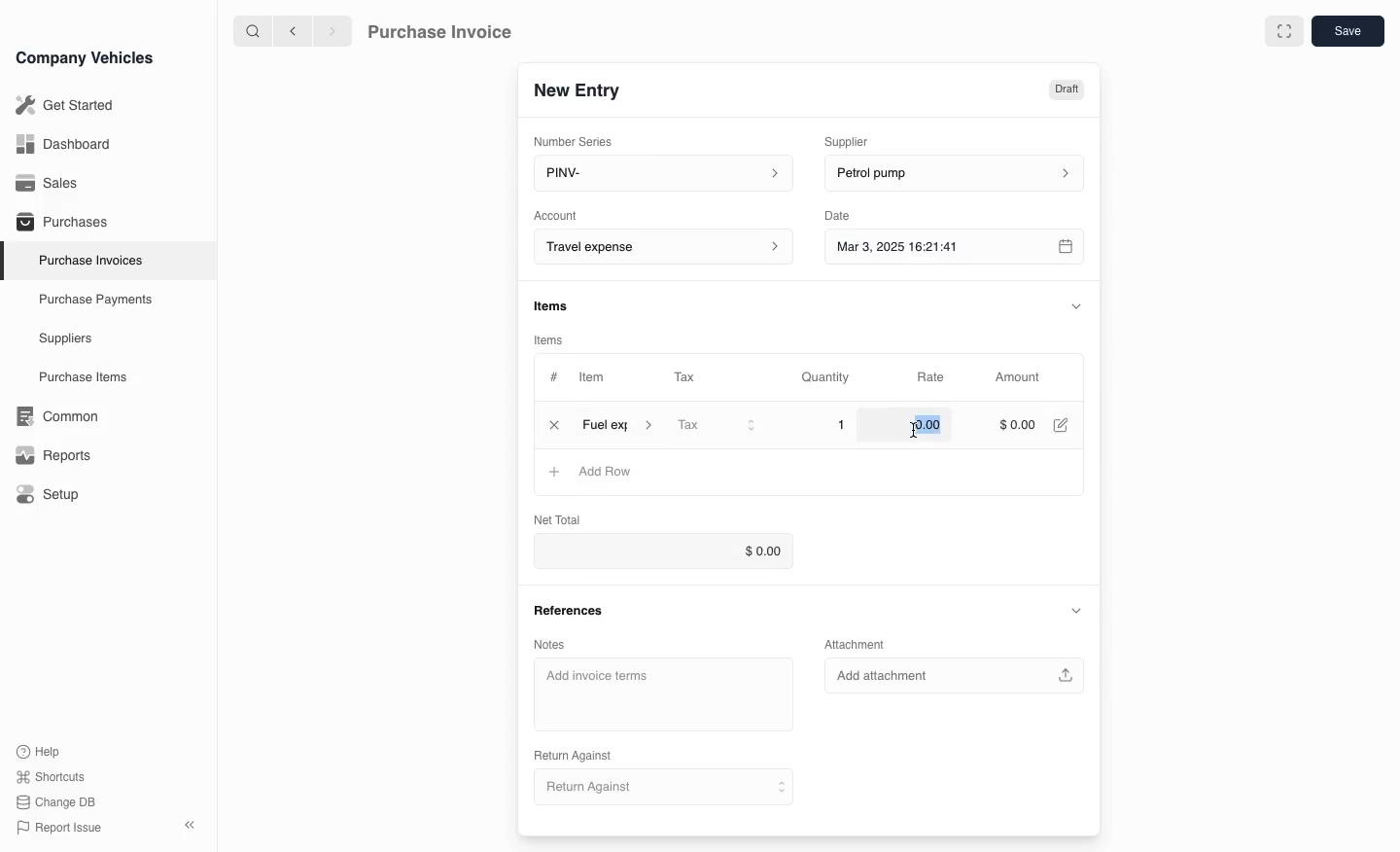  Describe the element at coordinates (58, 802) in the screenshot. I see `change DB` at that location.